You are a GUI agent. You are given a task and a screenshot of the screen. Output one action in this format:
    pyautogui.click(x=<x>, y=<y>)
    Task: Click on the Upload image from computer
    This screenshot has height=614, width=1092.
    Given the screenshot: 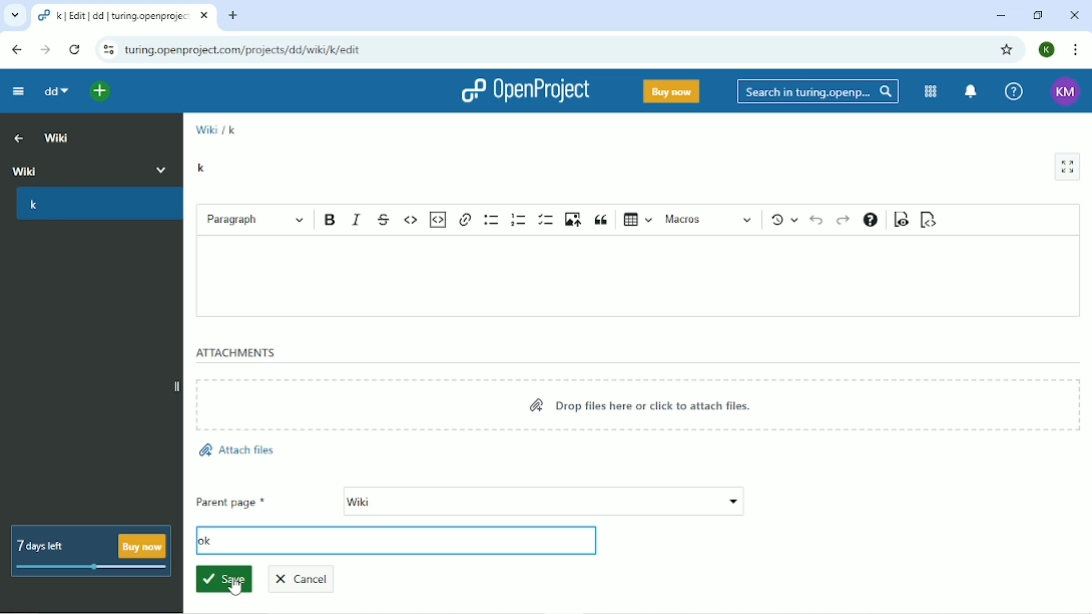 What is the action you would take?
    pyautogui.click(x=573, y=219)
    